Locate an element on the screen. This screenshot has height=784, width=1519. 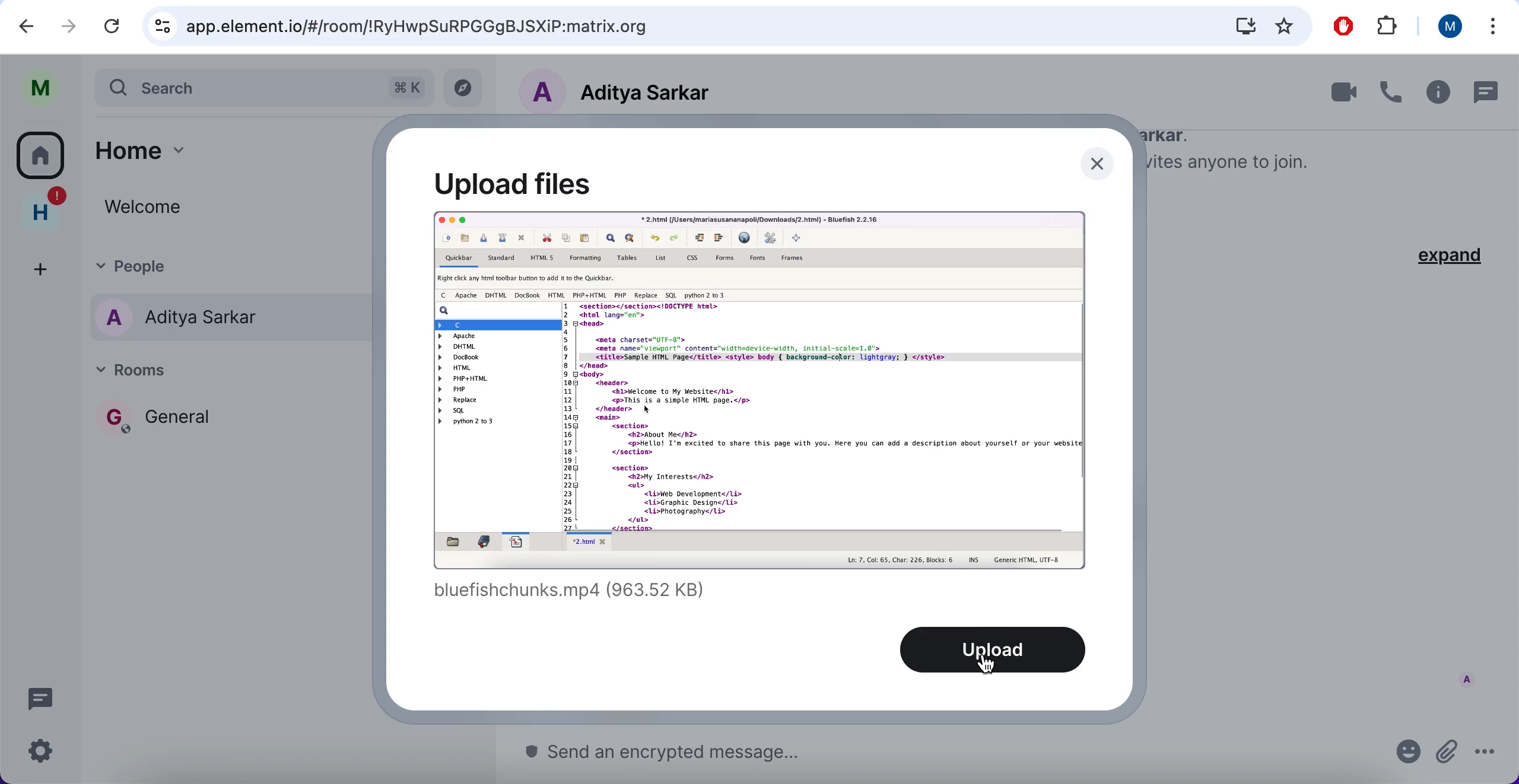
chat is located at coordinates (45, 700).